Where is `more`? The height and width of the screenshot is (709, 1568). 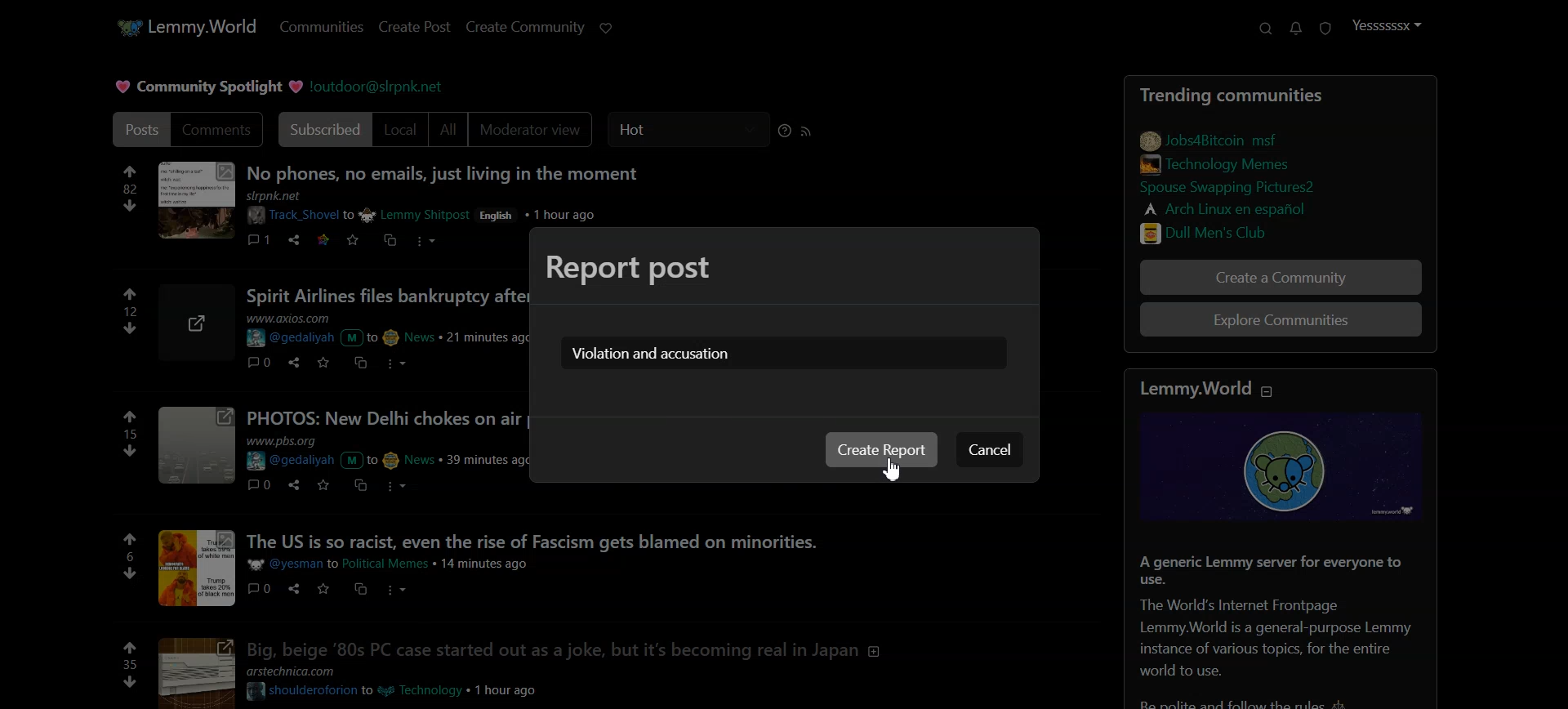 more is located at coordinates (393, 588).